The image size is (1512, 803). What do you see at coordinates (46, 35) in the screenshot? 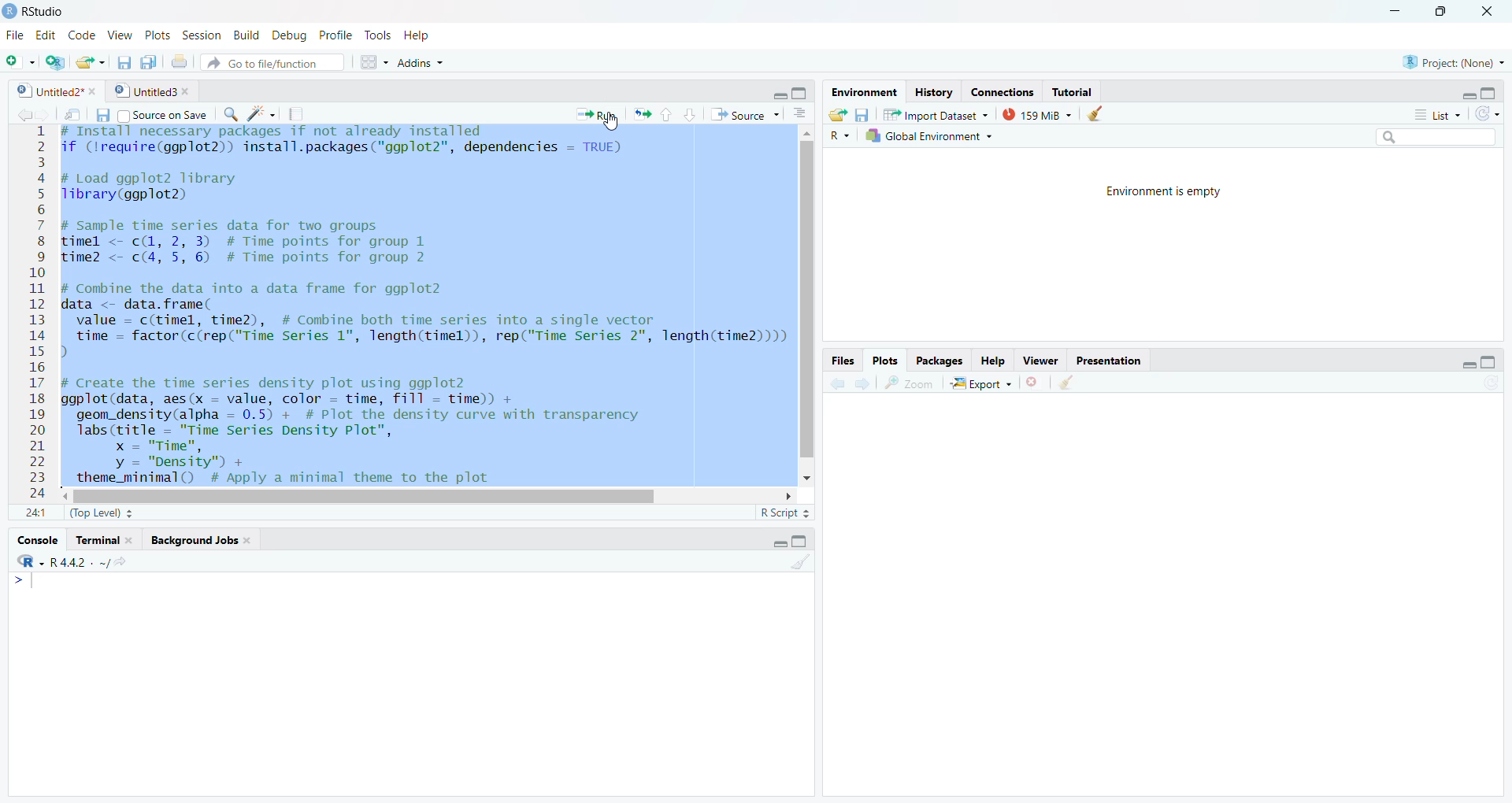
I see `Edit` at bounding box center [46, 35].